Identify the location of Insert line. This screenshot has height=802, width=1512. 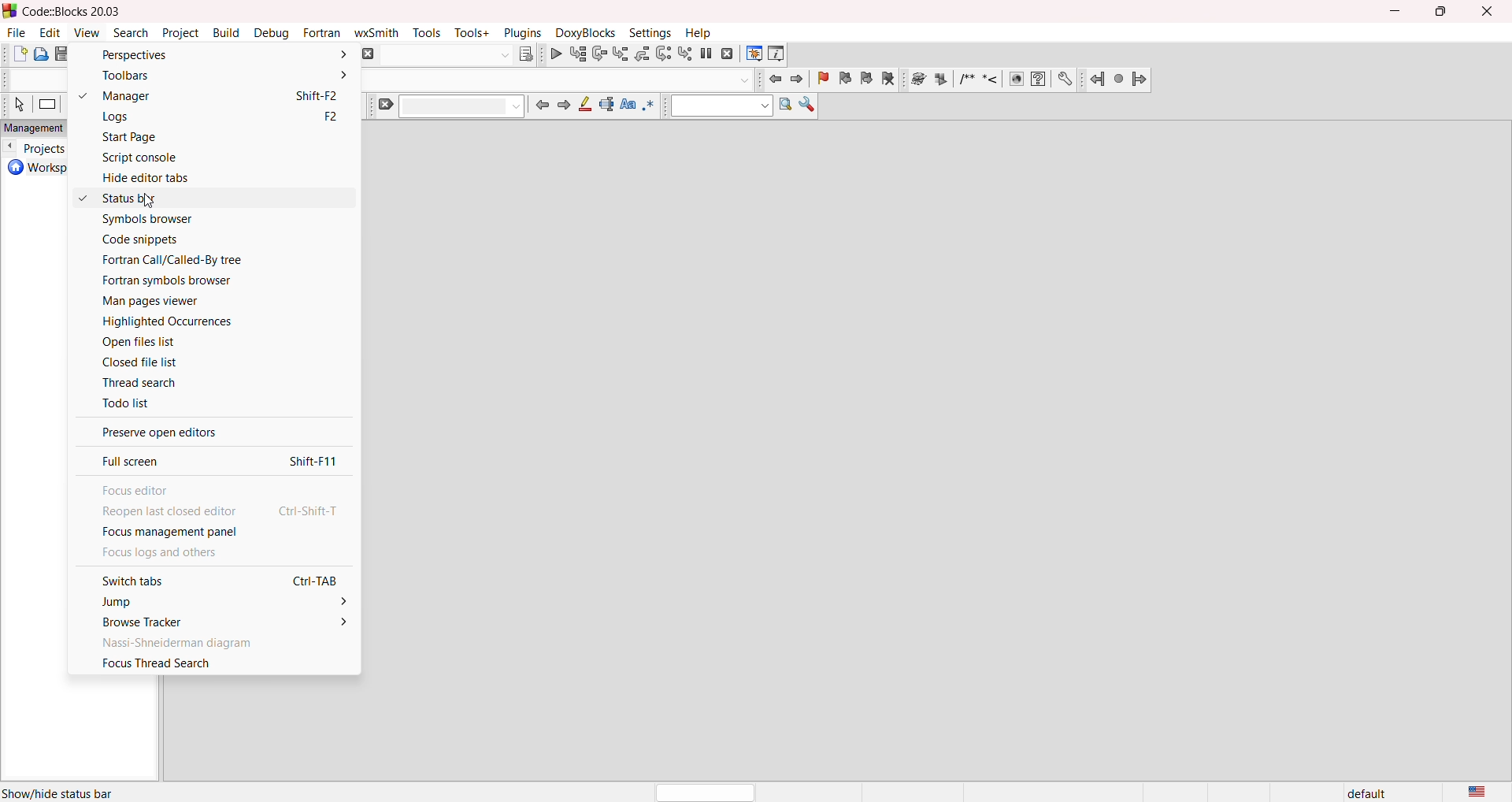
(991, 80).